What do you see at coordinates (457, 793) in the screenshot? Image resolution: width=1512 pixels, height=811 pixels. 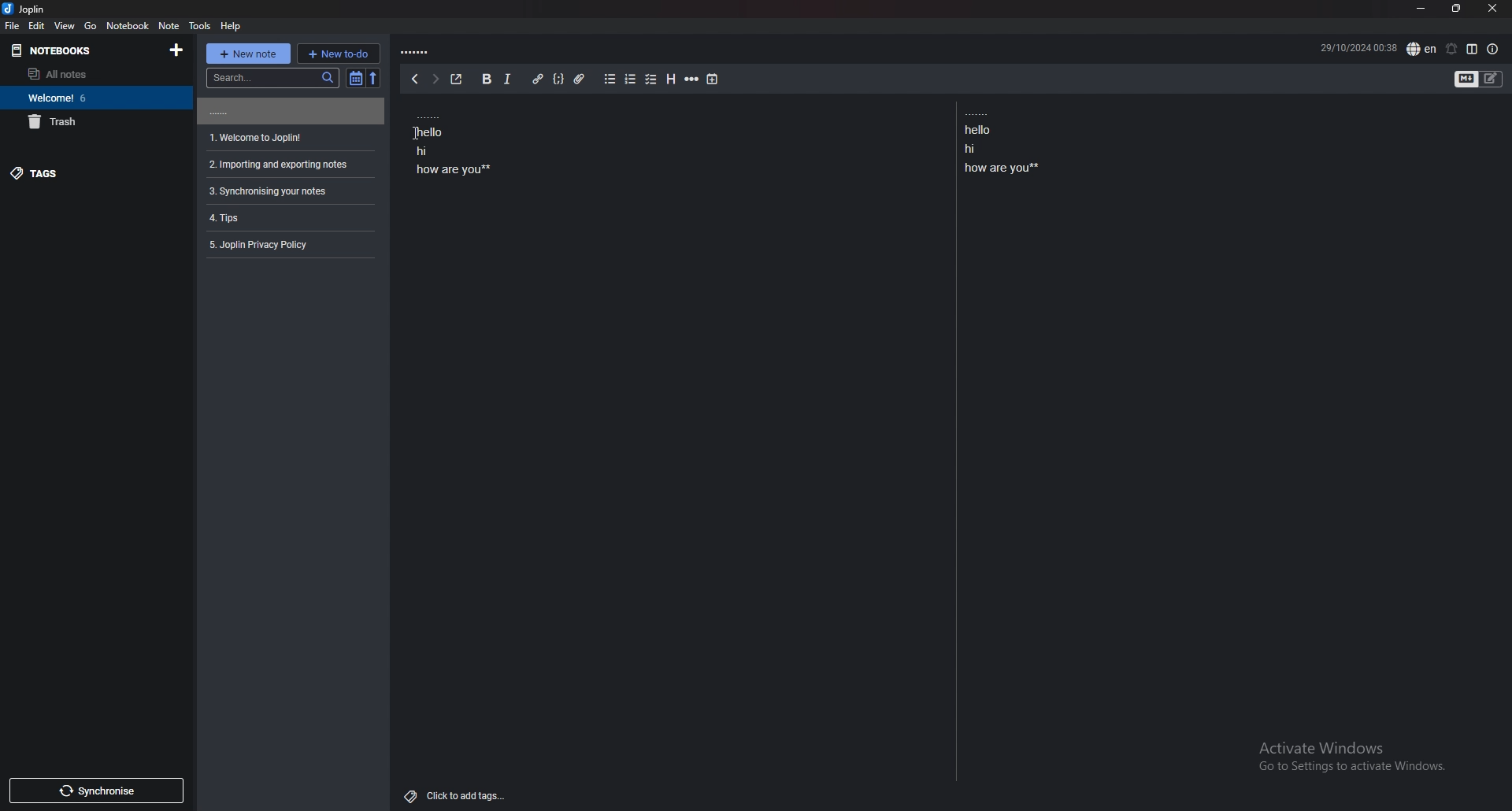 I see `` at bounding box center [457, 793].